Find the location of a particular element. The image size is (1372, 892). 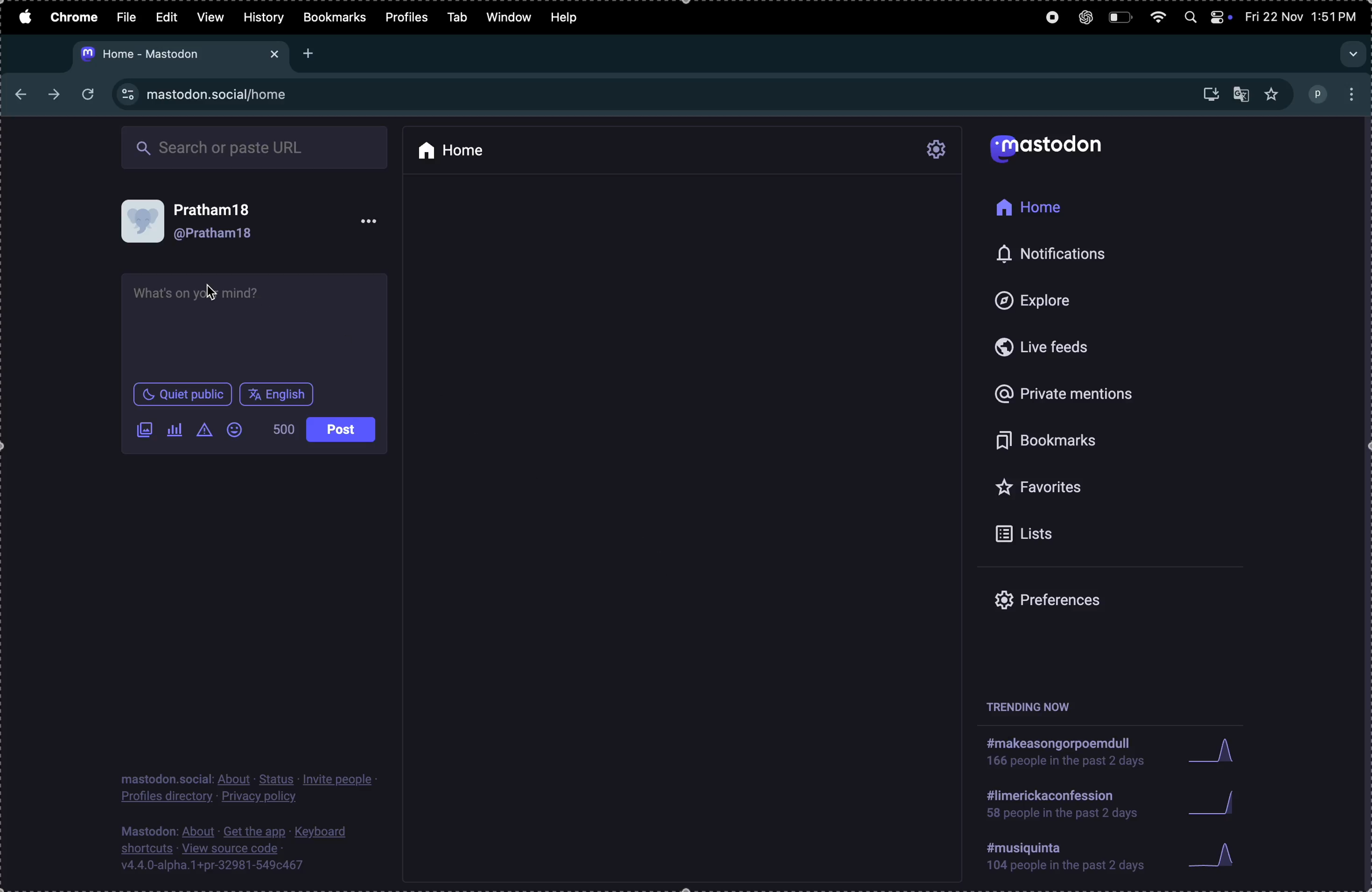

file is located at coordinates (126, 18).